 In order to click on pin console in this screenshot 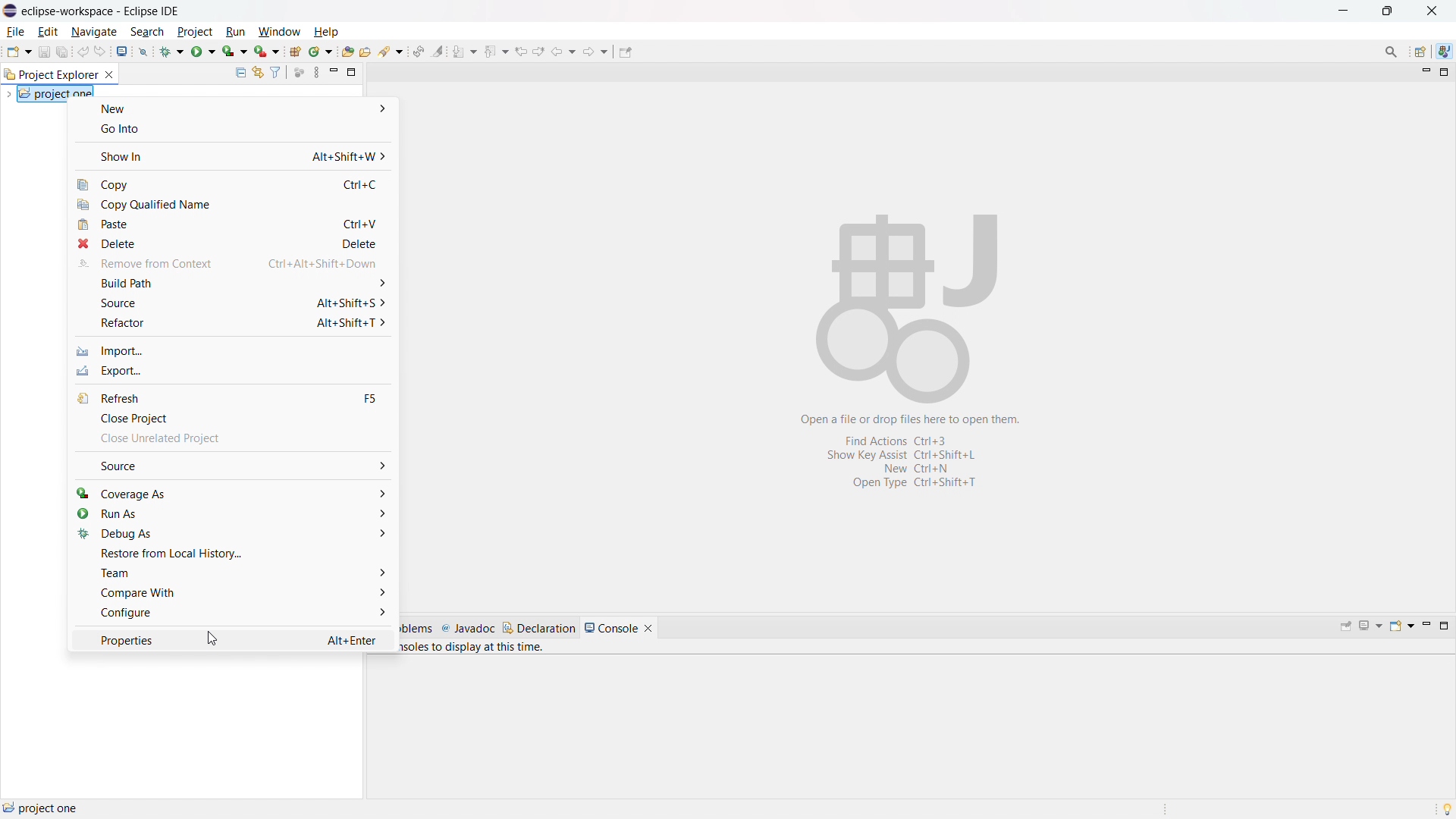, I will do `click(1346, 627)`.